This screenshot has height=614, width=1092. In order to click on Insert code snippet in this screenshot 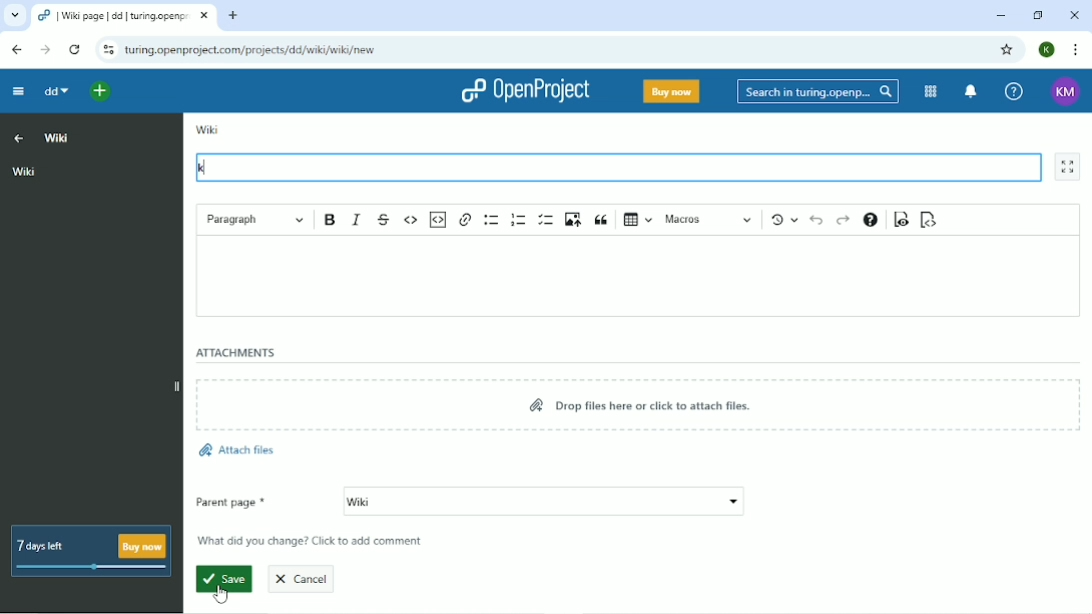, I will do `click(438, 220)`.